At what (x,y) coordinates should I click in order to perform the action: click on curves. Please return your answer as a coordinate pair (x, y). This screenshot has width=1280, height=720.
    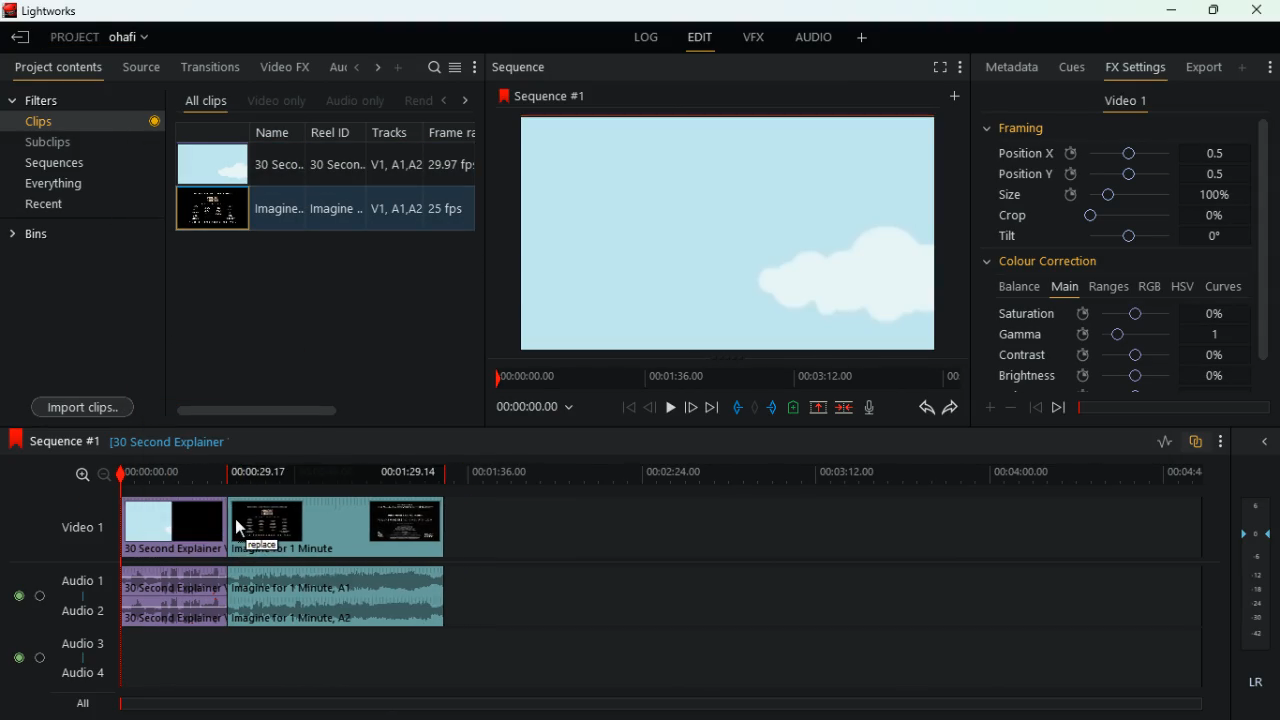
    Looking at the image, I should click on (1226, 285).